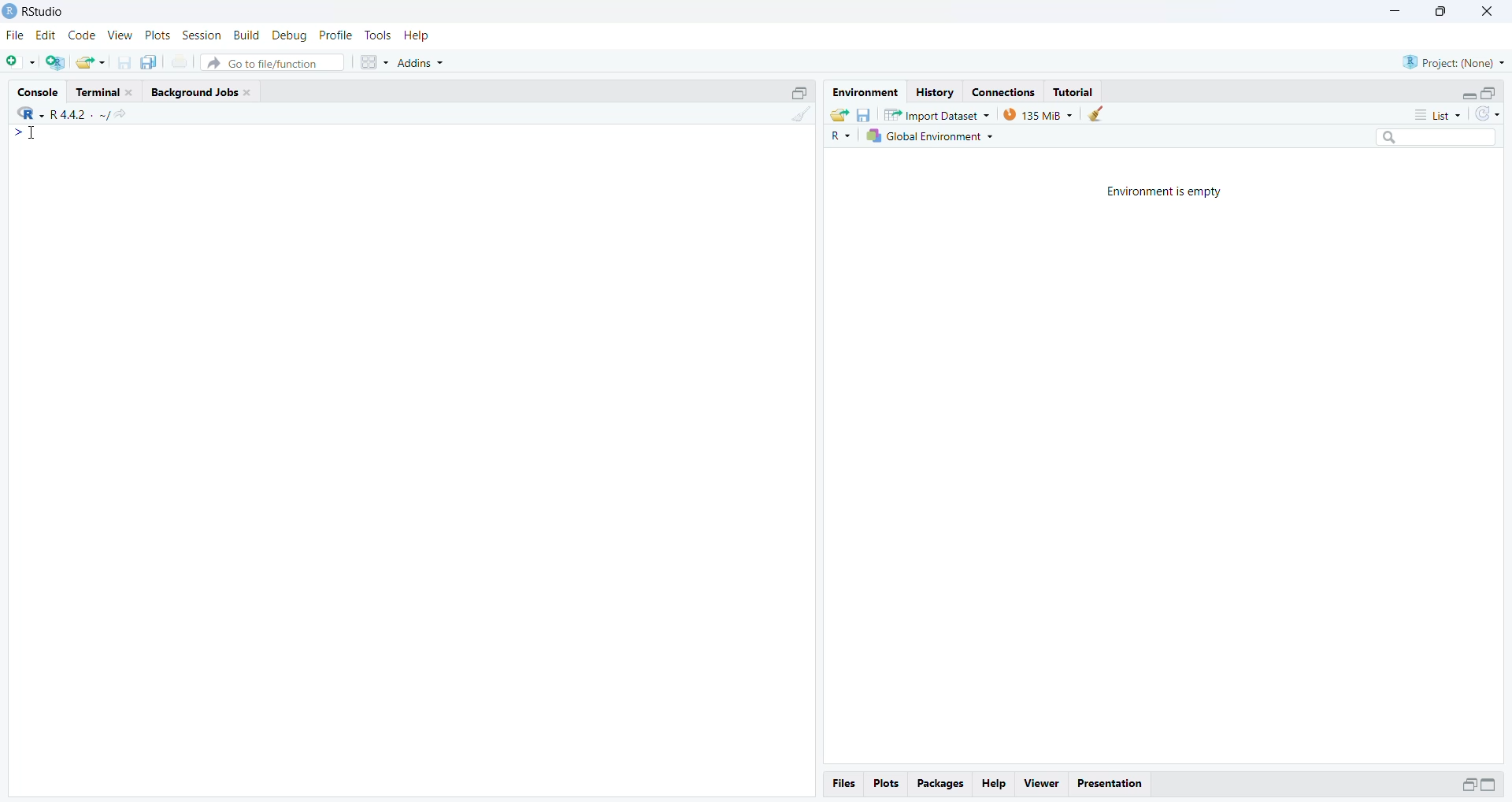 This screenshot has width=1512, height=802. What do you see at coordinates (336, 35) in the screenshot?
I see `Profile` at bounding box center [336, 35].